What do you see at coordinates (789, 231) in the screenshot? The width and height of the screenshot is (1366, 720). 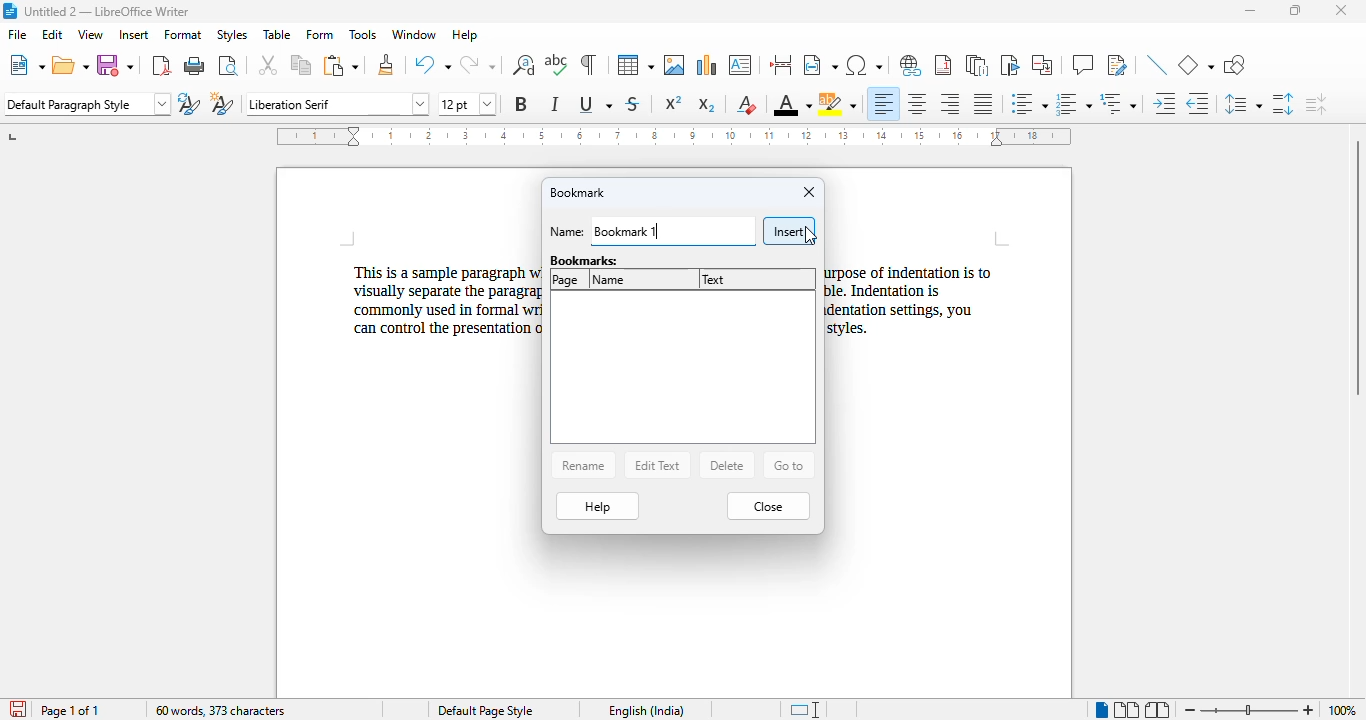 I see `insert` at bounding box center [789, 231].